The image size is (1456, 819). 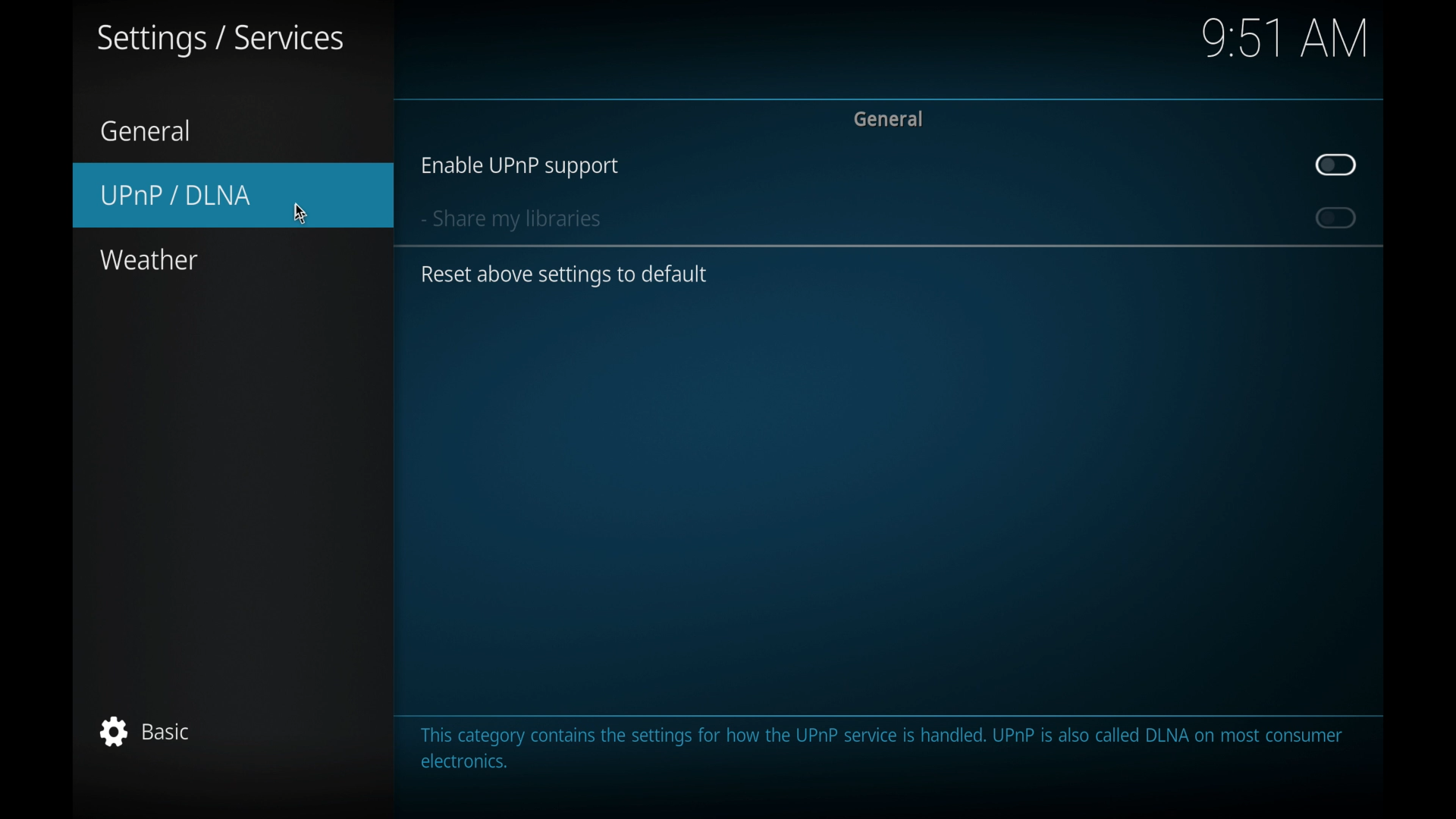 What do you see at coordinates (1336, 218) in the screenshot?
I see `toggle button` at bounding box center [1336, 218].